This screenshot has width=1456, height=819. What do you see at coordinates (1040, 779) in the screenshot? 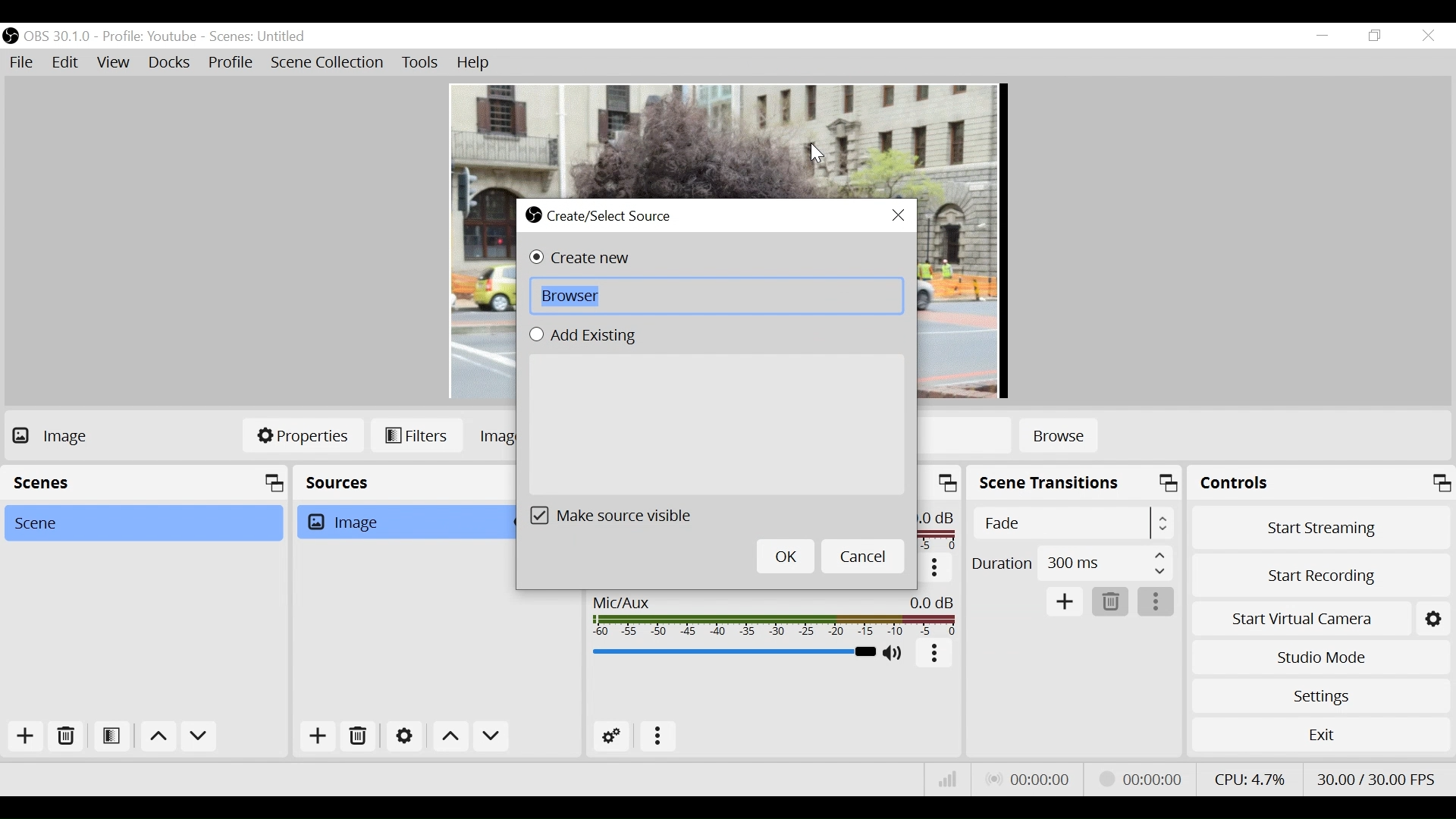
I see `Live Status` at bounding box center [1040, 779].